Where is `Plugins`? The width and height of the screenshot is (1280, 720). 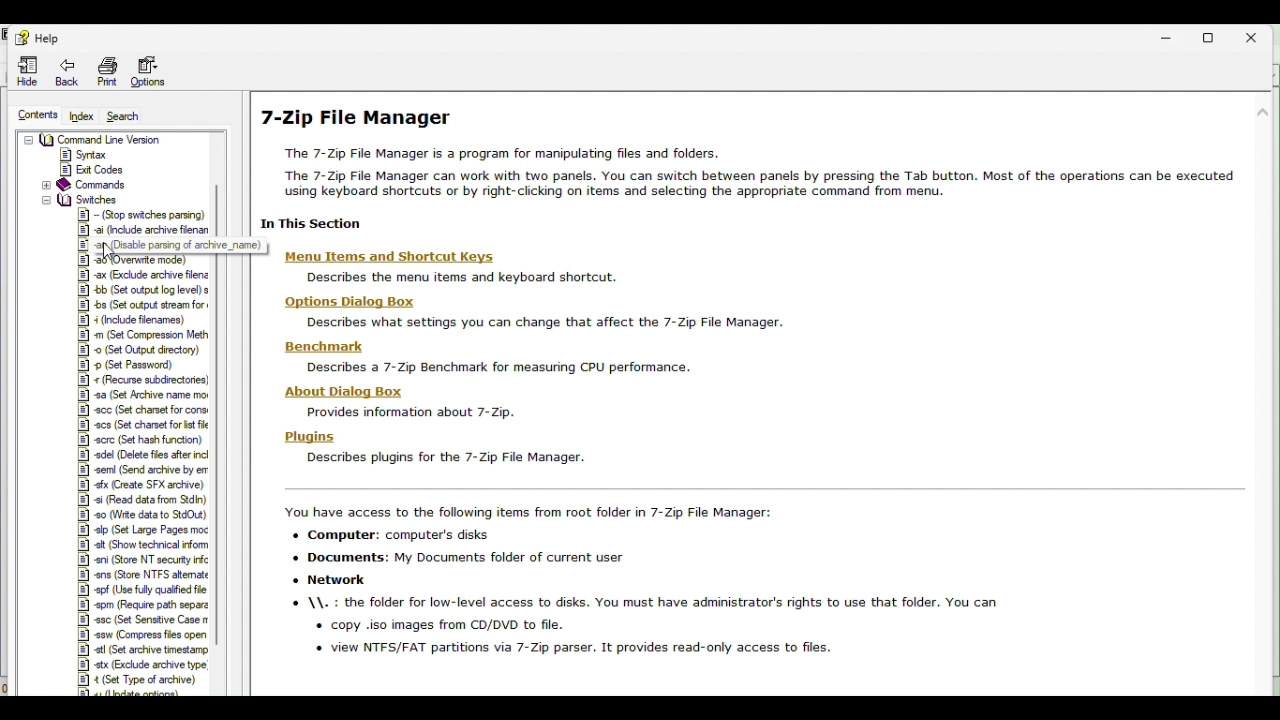
Plugins is located at coordinates (310, 435).